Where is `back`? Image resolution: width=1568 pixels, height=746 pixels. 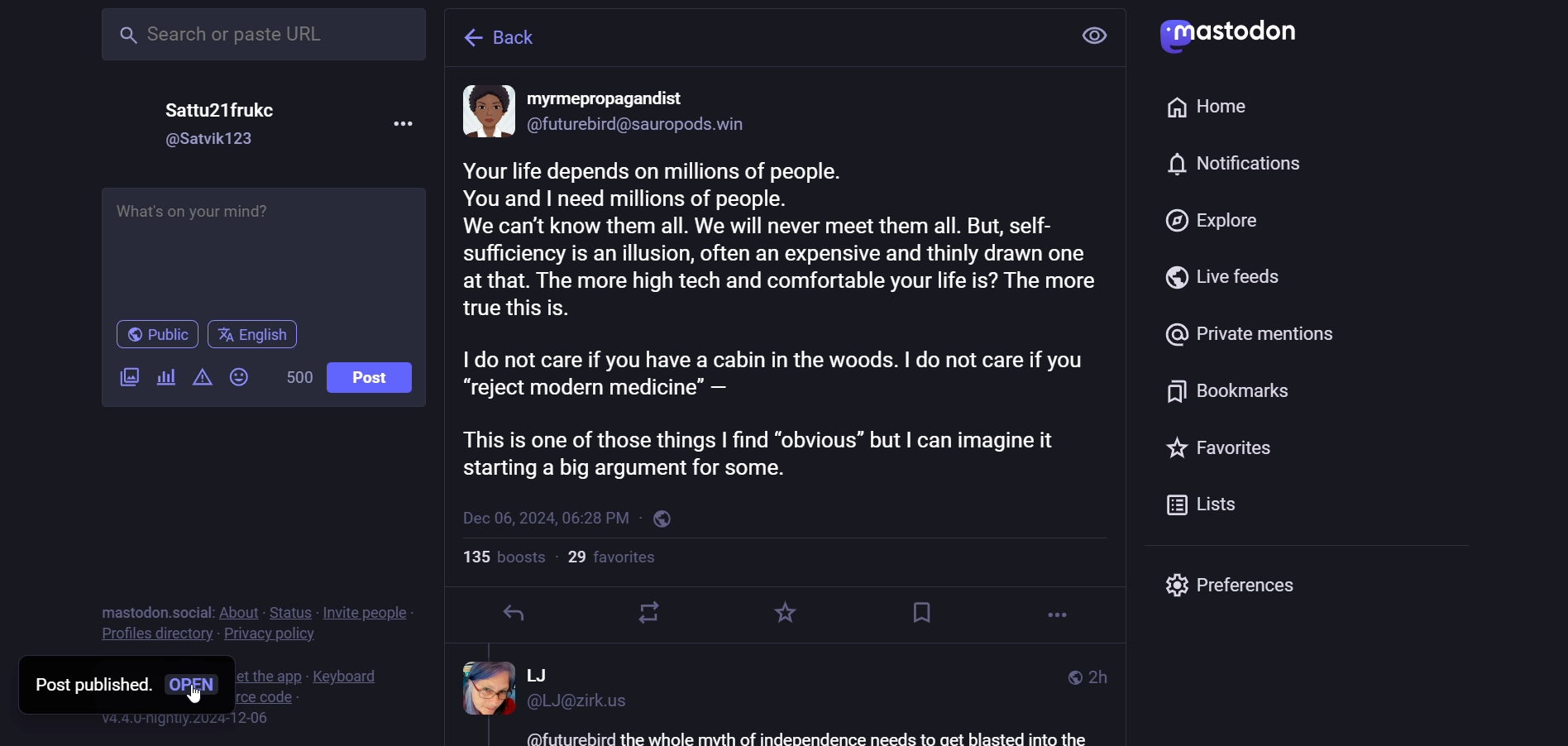 back is located at coordinates (506, 36).